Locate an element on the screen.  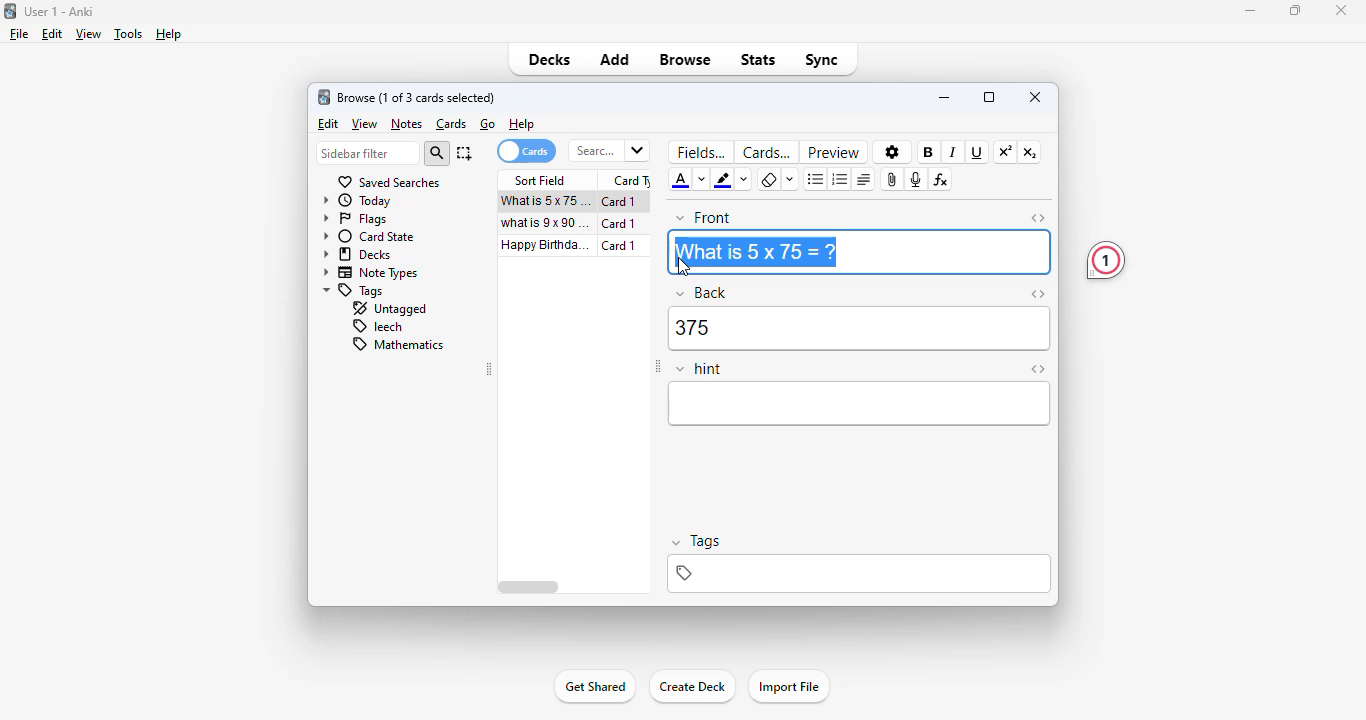
equations is located at coordinates (942, 179).